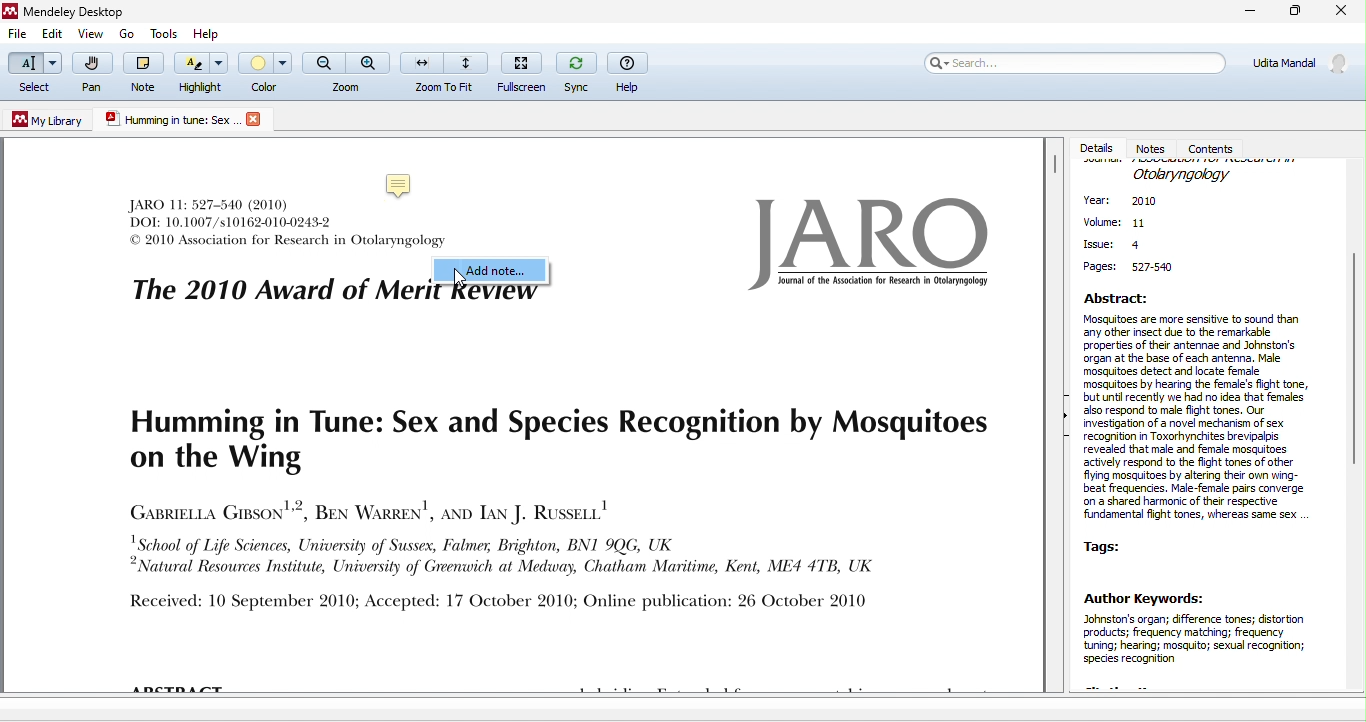 The width and height of the screenshot is (1366, 722). I want to click on account, so click(1298, 69).